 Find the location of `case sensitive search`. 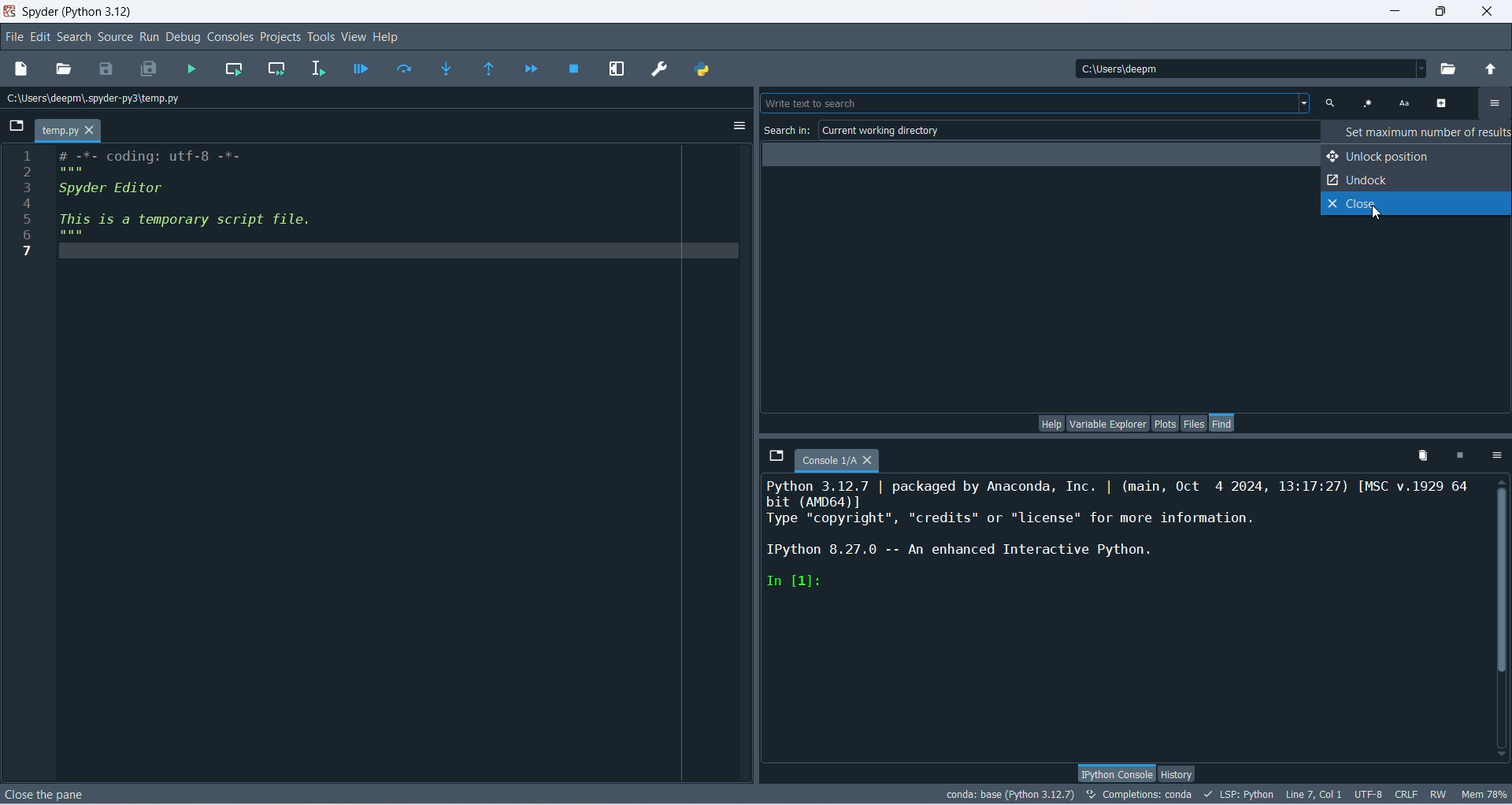

case sensitive search is located at coordinates (1403, 104).